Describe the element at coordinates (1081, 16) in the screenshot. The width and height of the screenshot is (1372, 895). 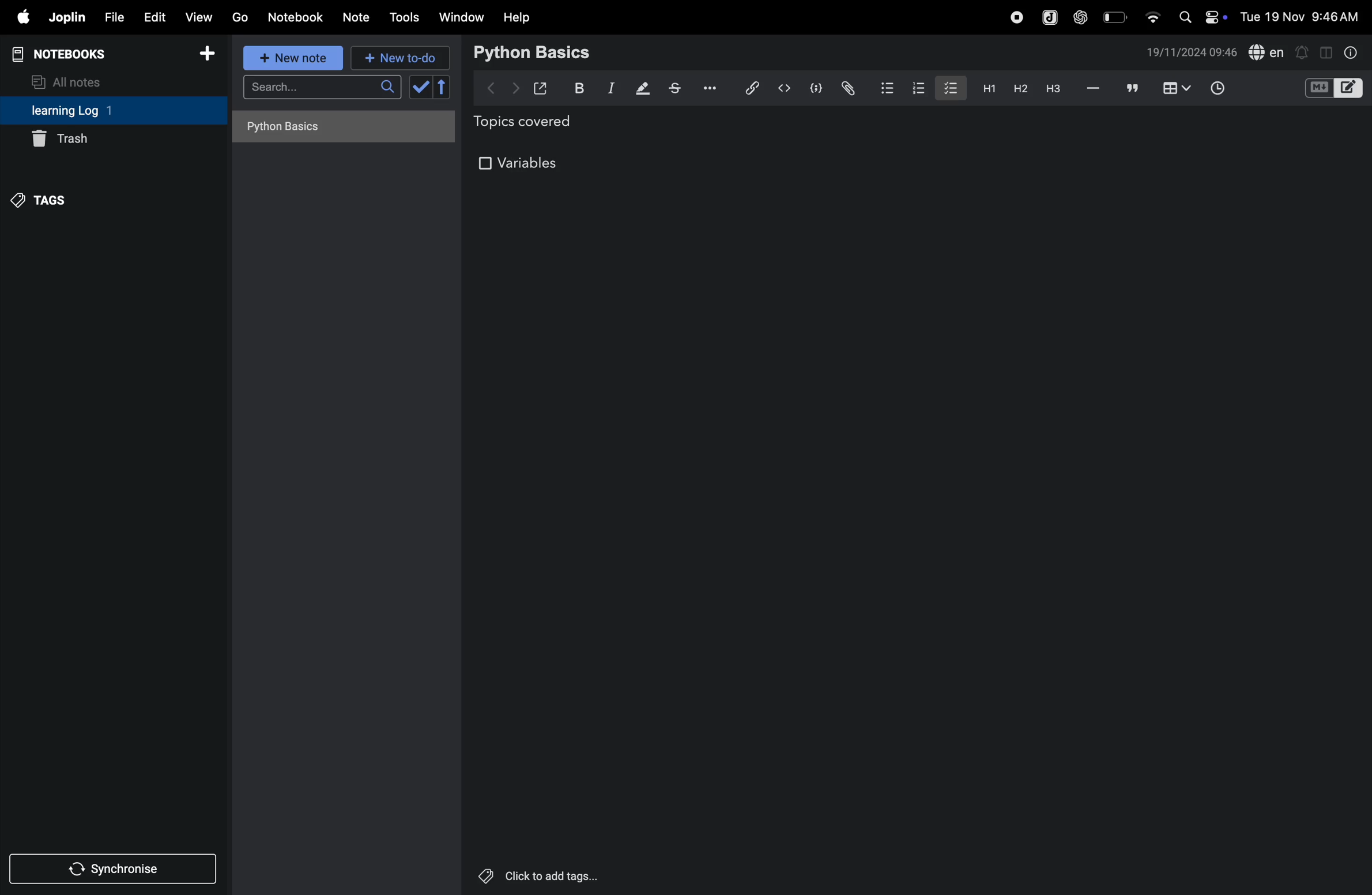
I see `chatgpt` at that location.